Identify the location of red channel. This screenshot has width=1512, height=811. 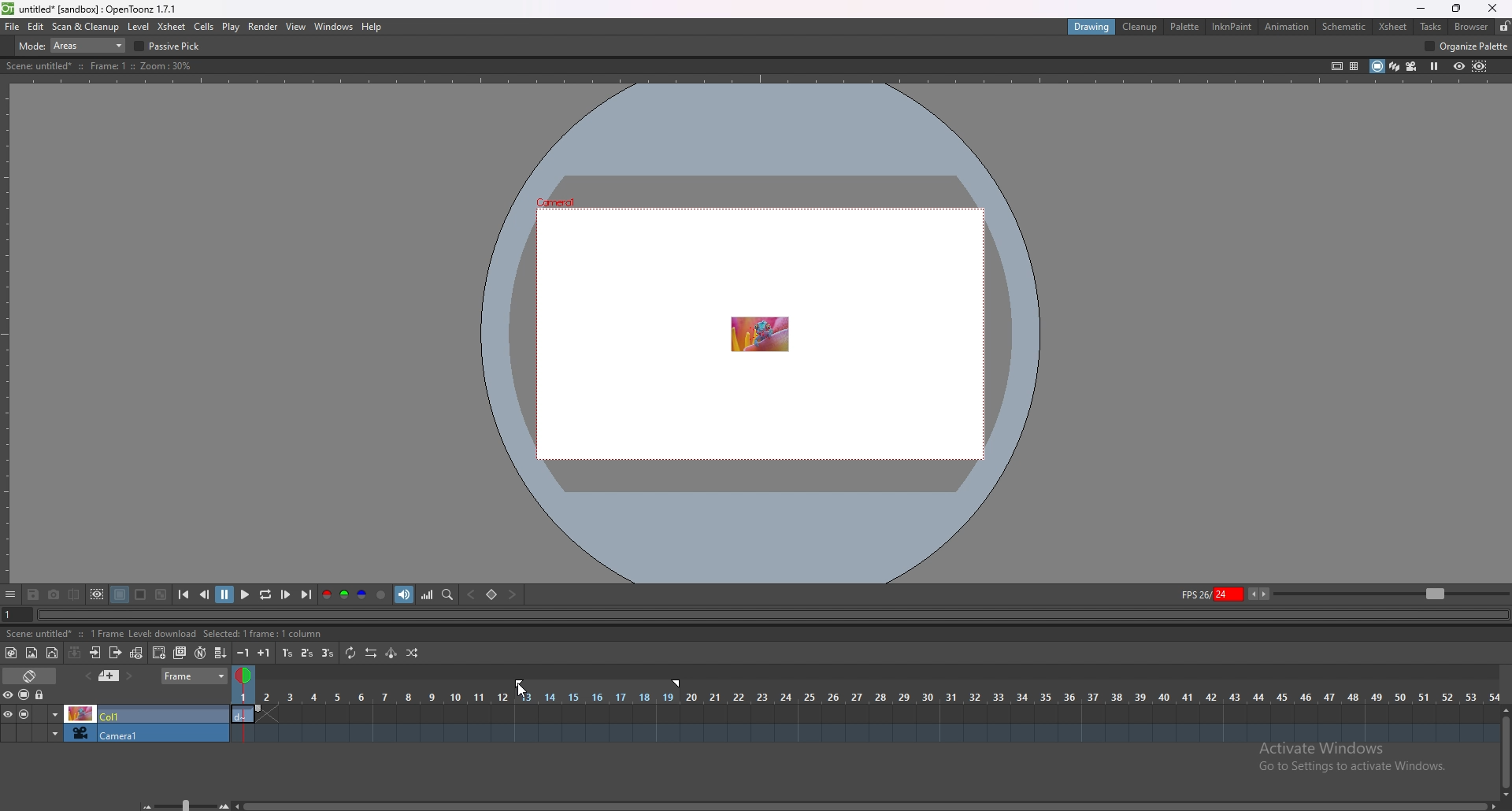
(326, 594).